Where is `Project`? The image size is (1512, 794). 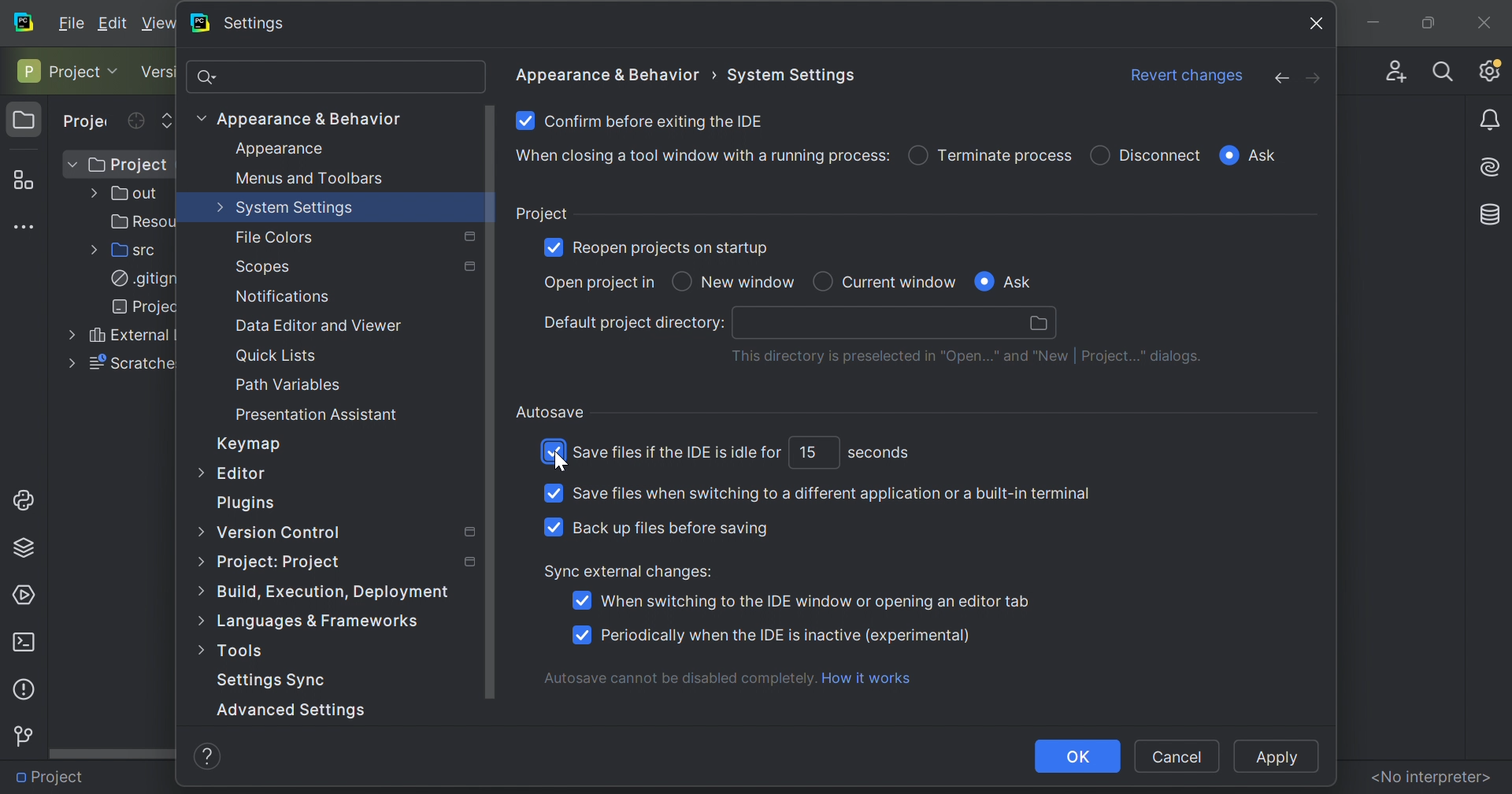
Project is located at coordinates (24, 121).